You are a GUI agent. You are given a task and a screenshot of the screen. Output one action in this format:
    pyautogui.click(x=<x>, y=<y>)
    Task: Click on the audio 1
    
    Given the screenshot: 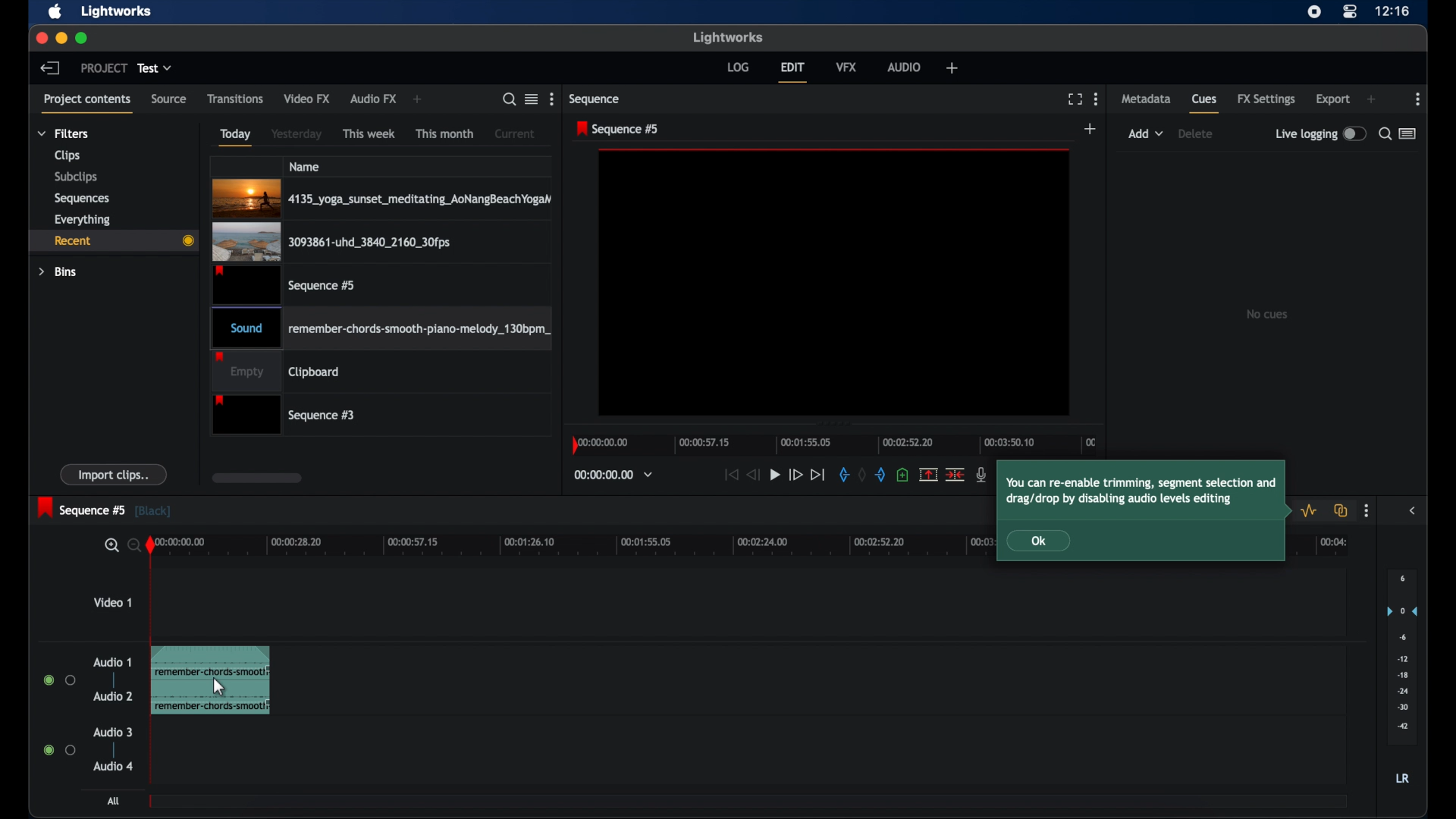 What is the action you would take?
    pyautogui.click(x=113, y=662)
    